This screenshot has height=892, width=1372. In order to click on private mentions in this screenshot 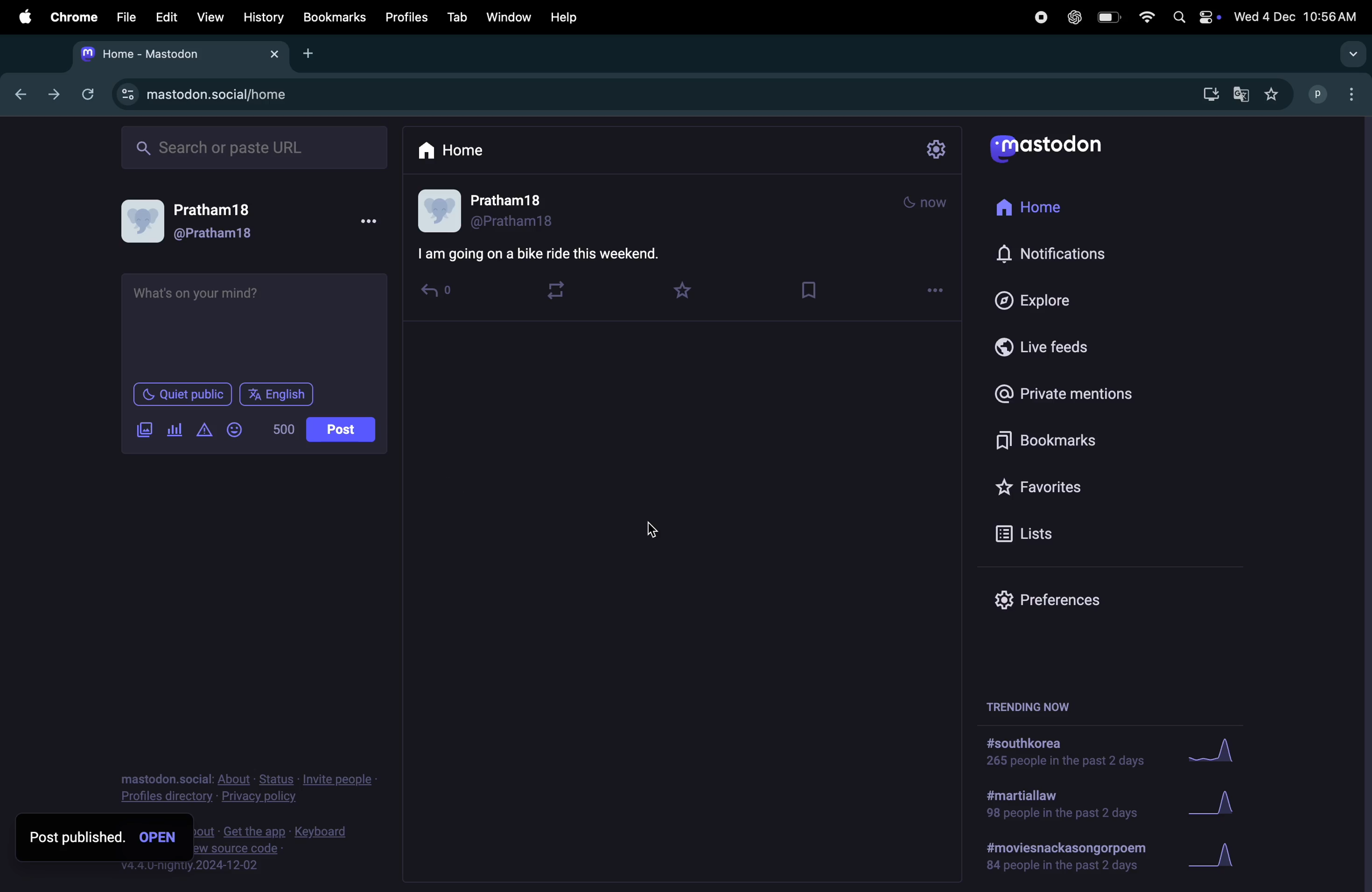, I will do `click(1075, 392)`.